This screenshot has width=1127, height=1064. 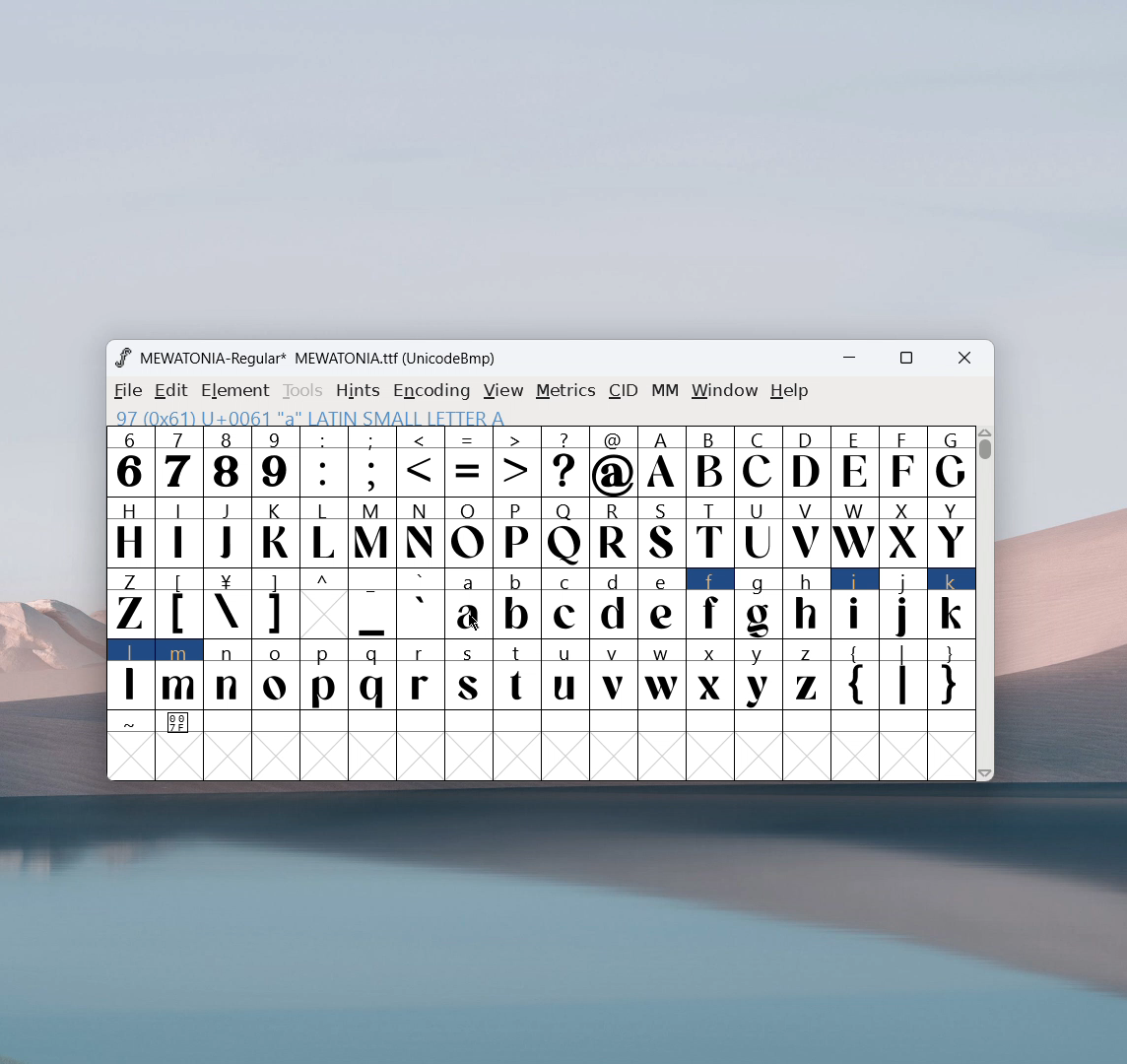 What do you see at coordinates (711, 674) in the screenshot?
I see `x` at bounding box center [711, 674].